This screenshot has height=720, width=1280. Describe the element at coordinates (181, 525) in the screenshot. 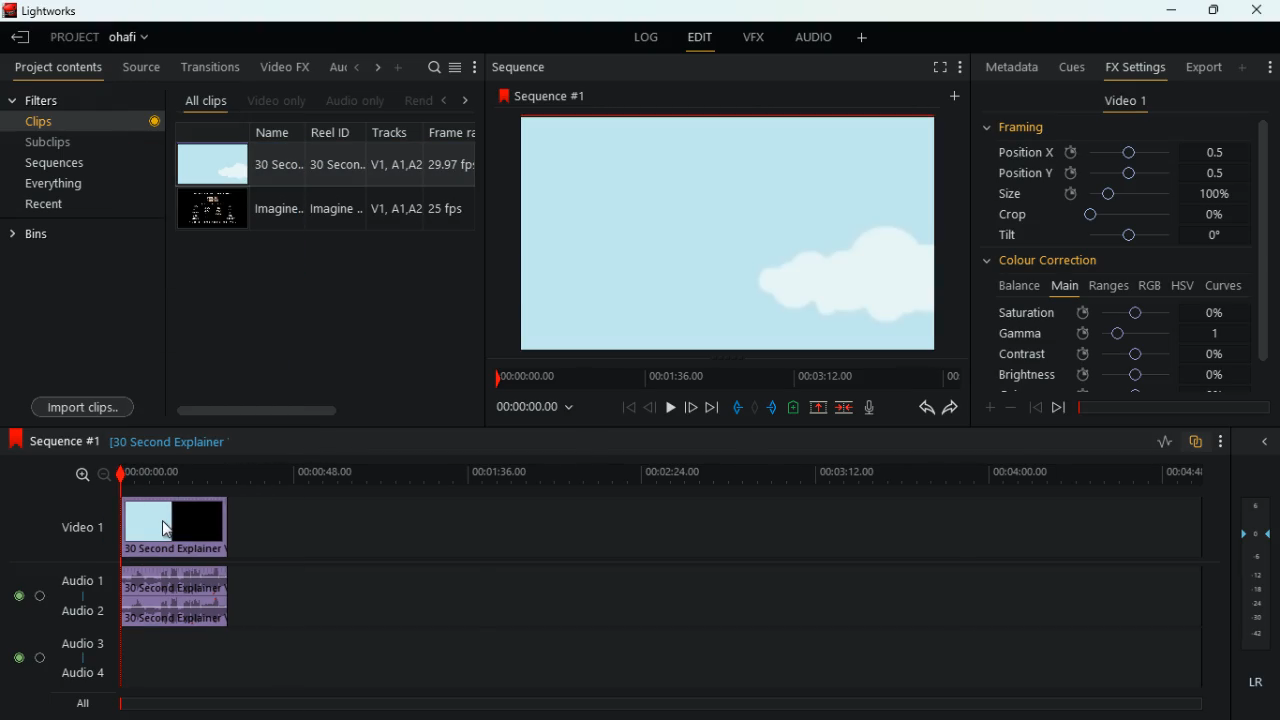

I see `video` at that location.